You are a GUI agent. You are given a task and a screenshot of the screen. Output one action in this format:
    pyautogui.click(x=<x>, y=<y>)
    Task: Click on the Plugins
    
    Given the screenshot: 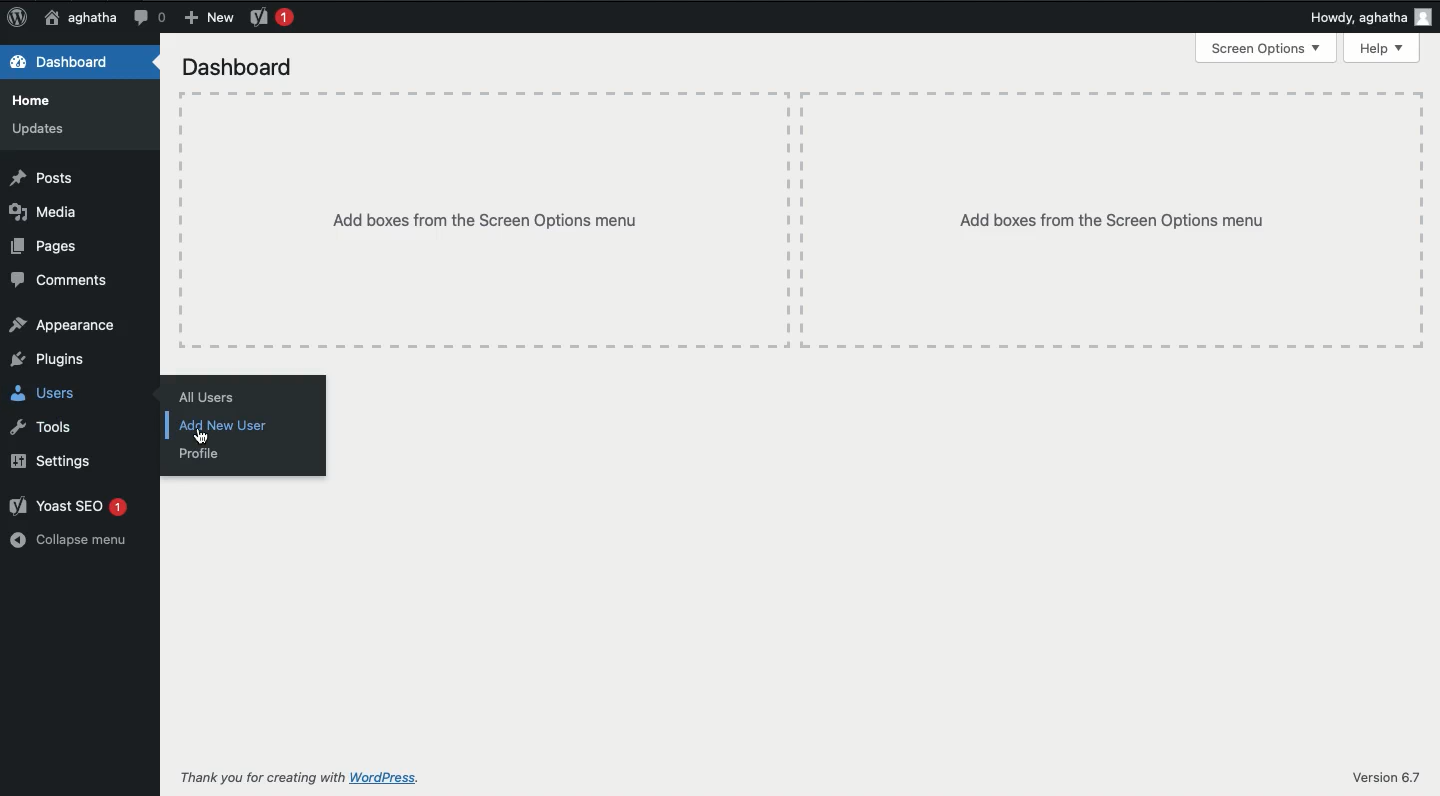 What is the action you would take?
    pyautogui.click(x=49, y=359)
    